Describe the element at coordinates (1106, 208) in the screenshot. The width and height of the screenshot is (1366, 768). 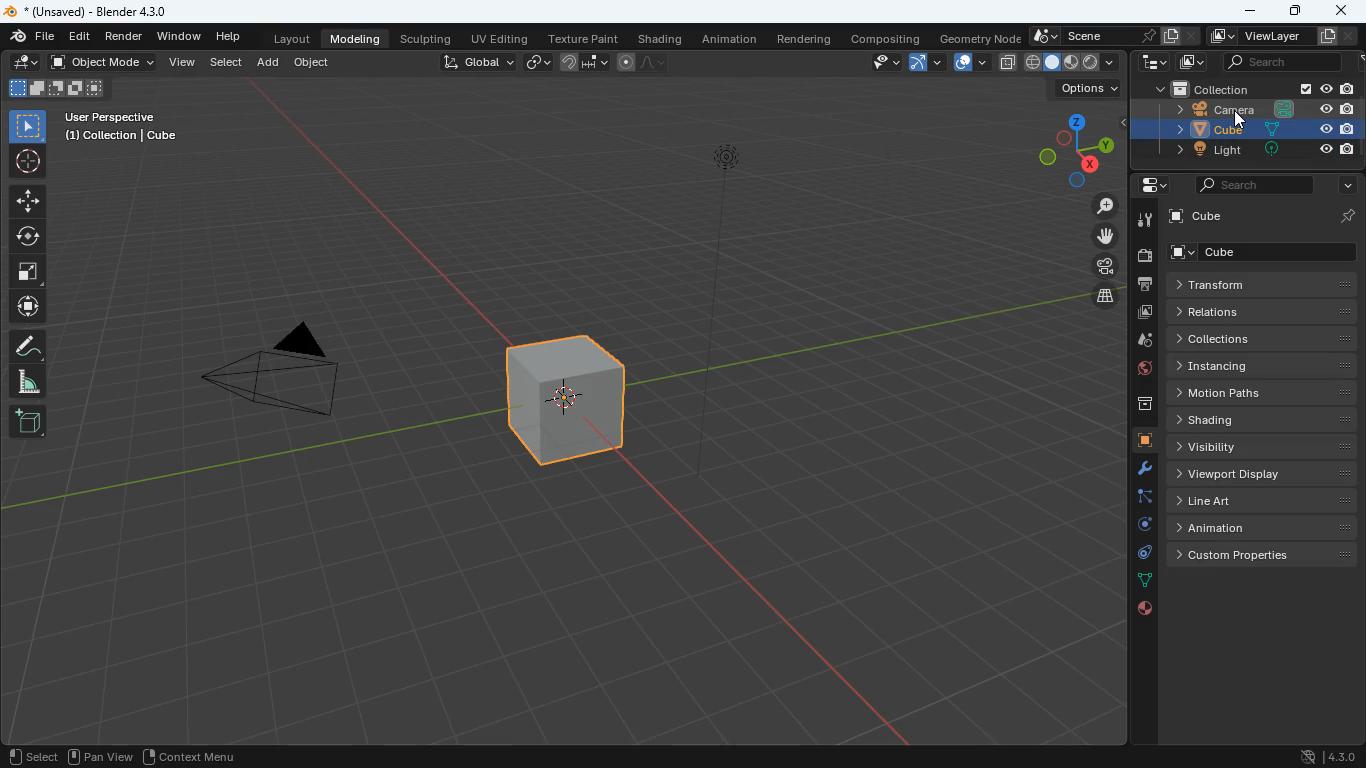
I see `zoom` at that location.